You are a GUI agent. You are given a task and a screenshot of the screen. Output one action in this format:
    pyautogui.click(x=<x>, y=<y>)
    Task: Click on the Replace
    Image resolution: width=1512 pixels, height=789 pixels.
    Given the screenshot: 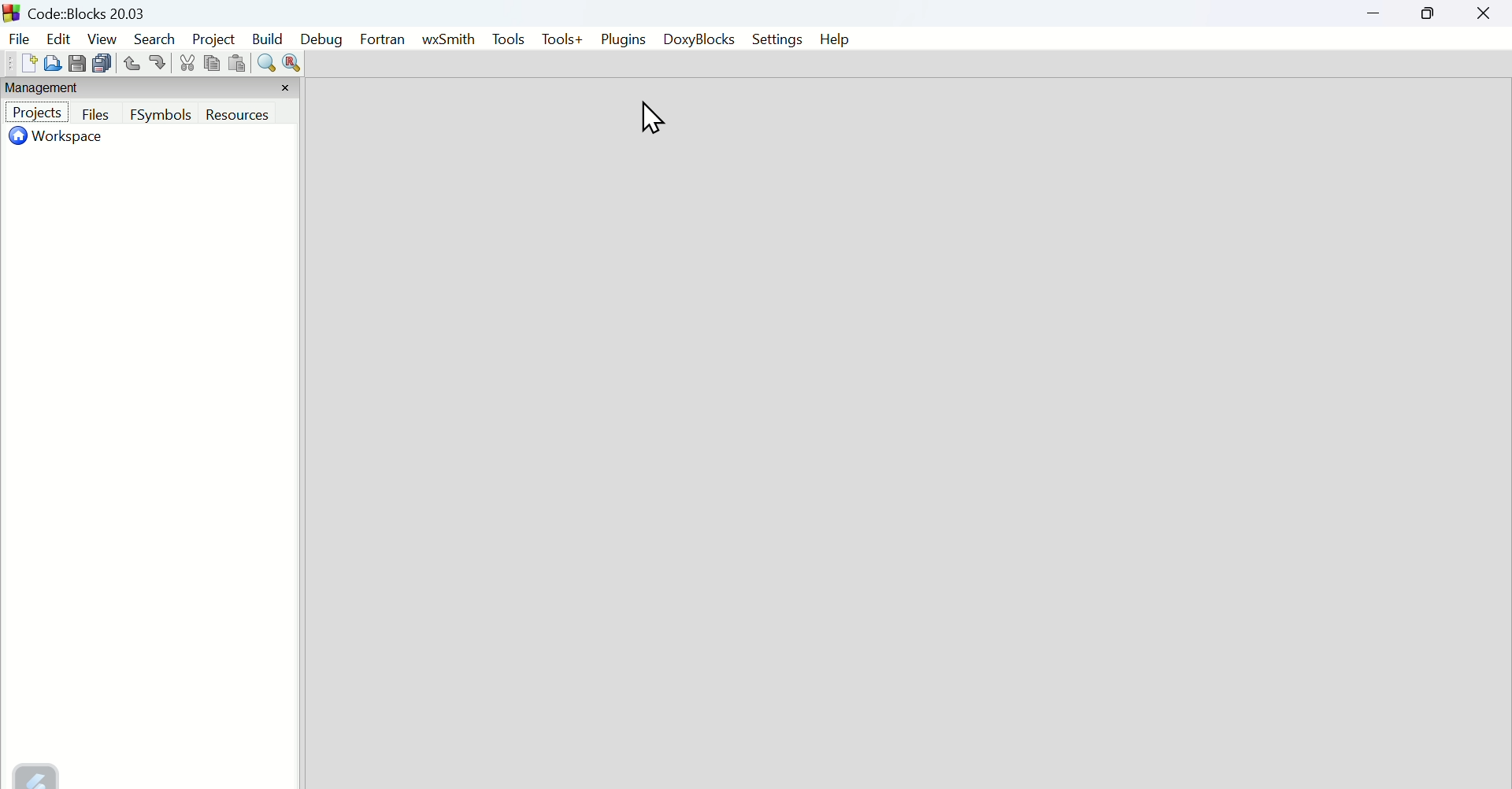 What is the action you would take?
    pyautogui.click(x=292, y=63)
    